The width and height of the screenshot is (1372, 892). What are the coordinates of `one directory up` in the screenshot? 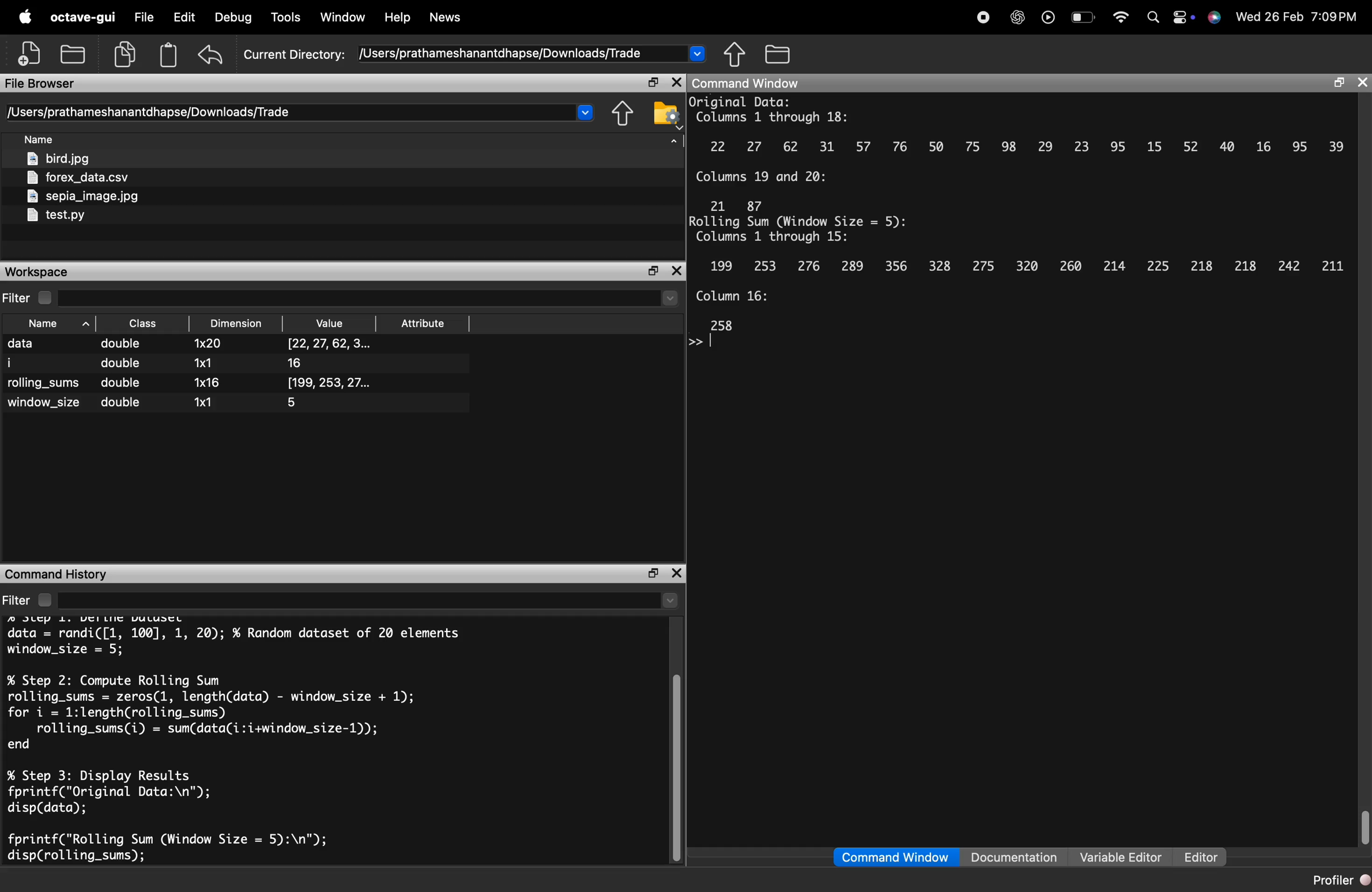 It's located at (623, 114).